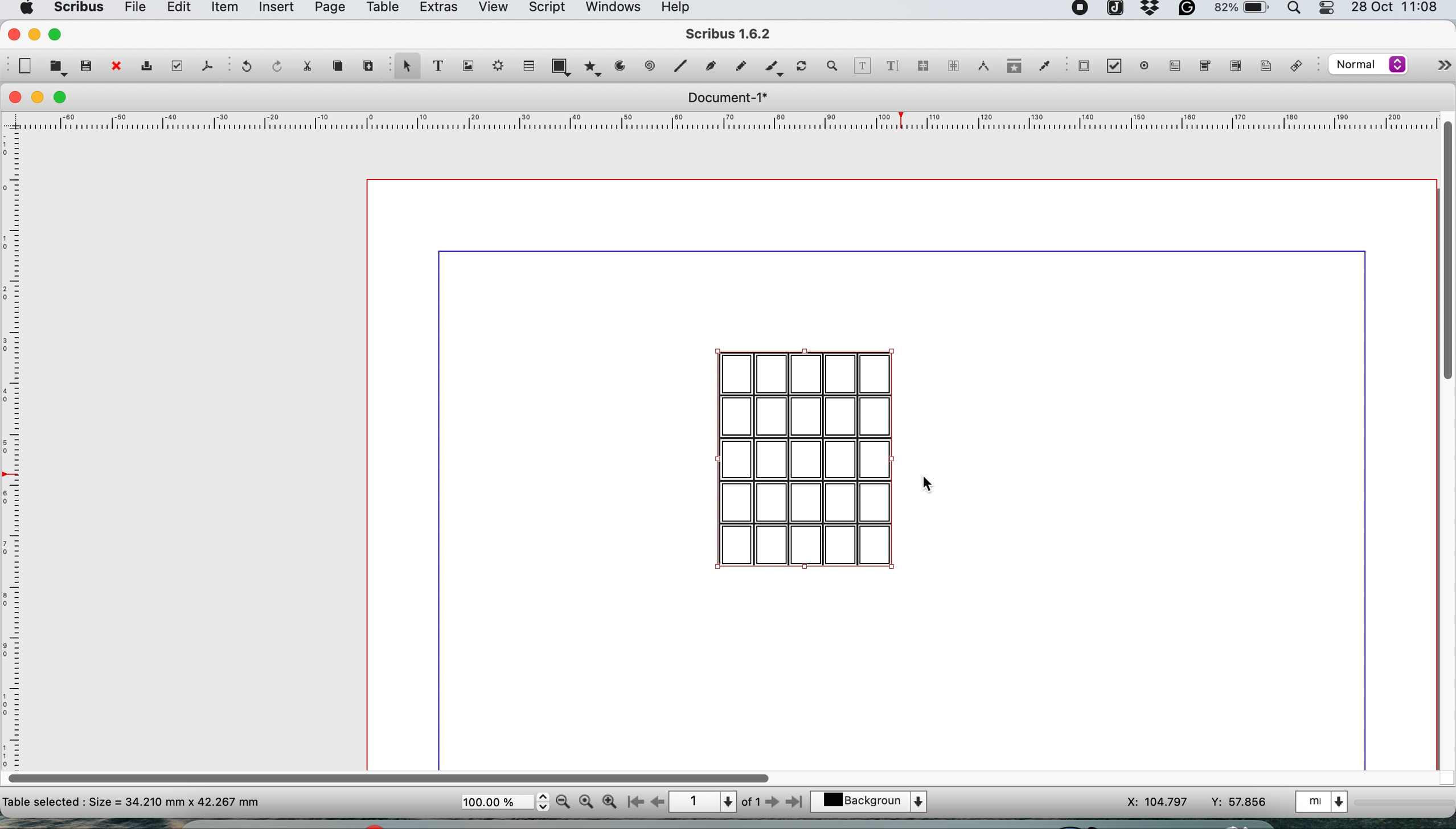 The image size is (1456, 829). I want to click on page 1 of 1, so click(714, 802).